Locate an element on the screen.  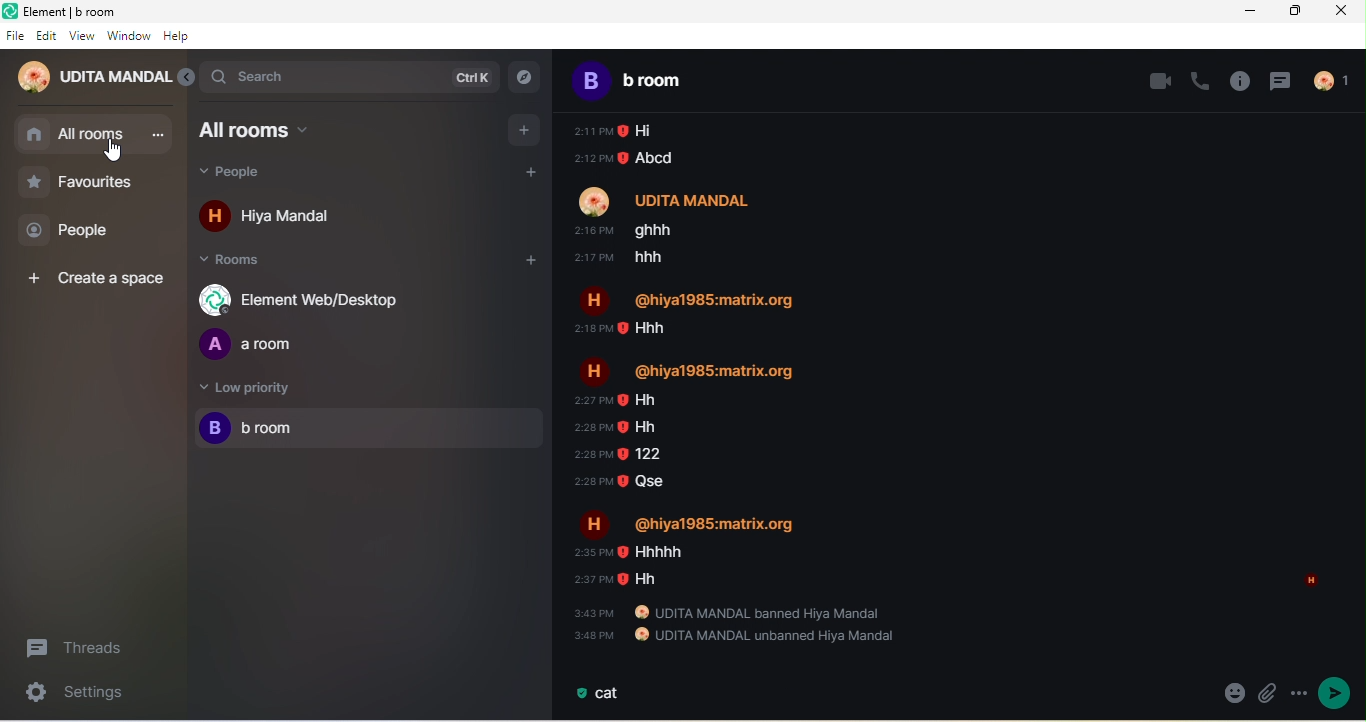
minimize is located at coordinates (1245, 15).